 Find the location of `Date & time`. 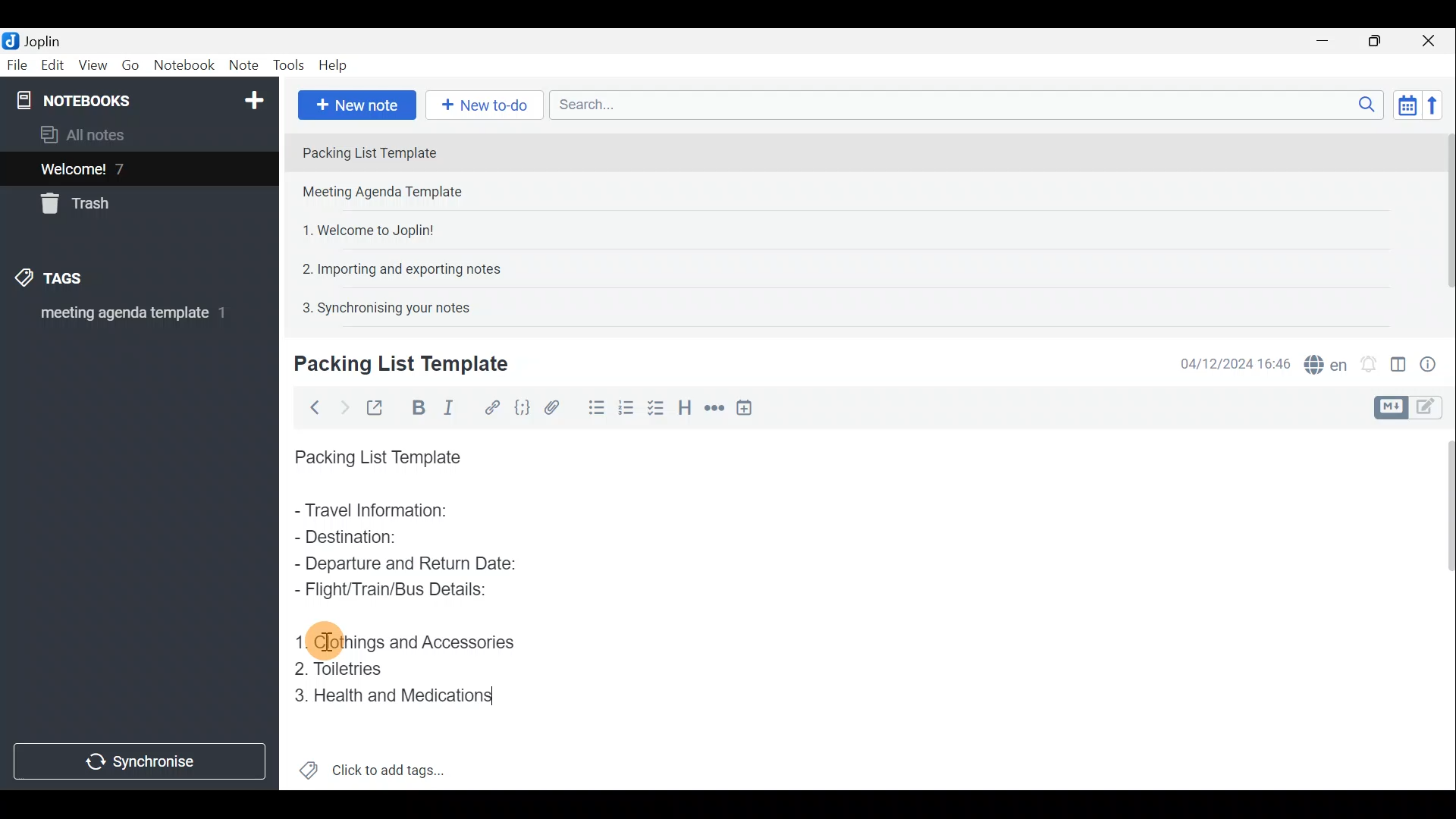

Date & time is located at coordinates (1235, 362).